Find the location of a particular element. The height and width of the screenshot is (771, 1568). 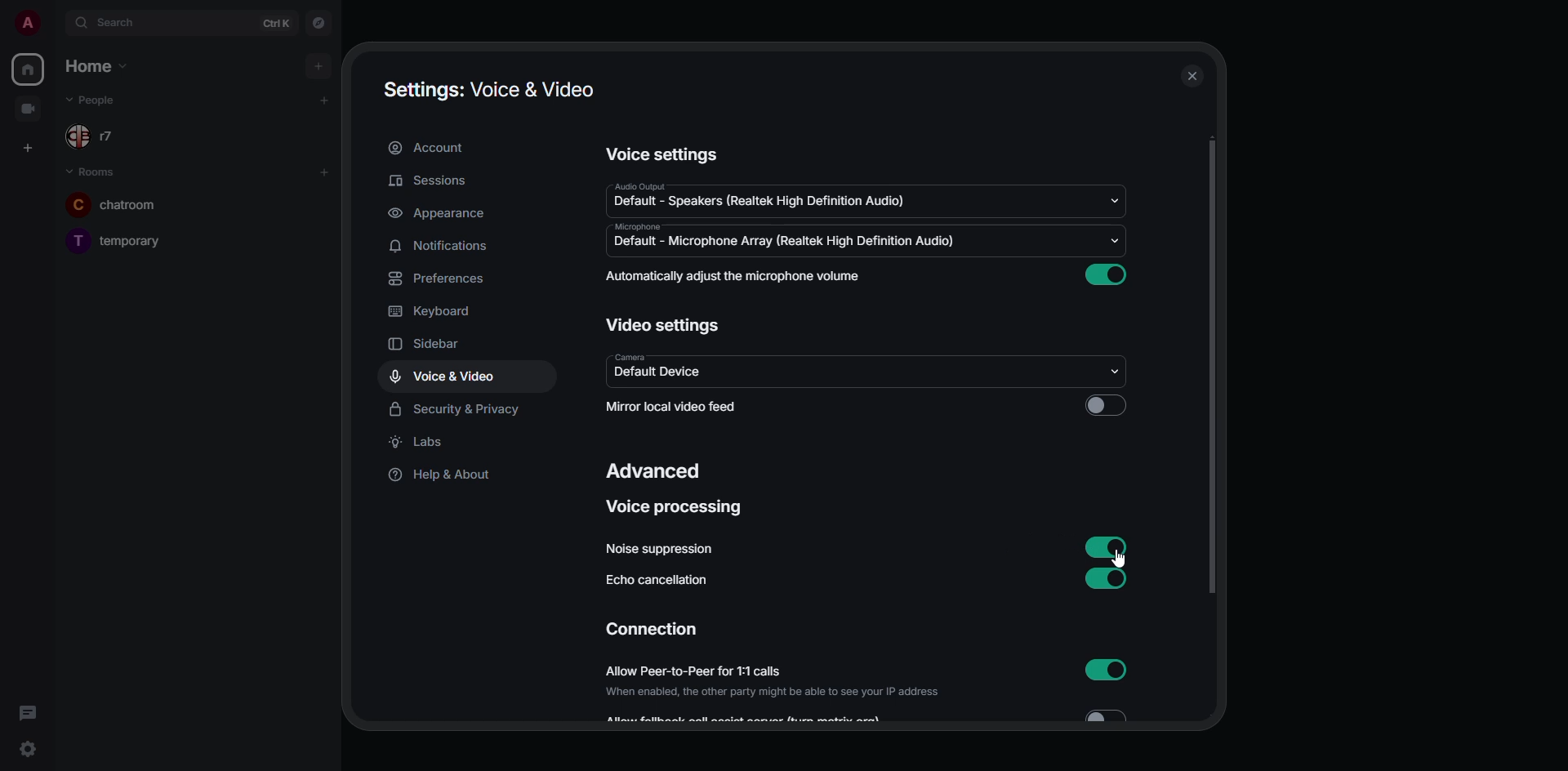

connection is located at coordinates (652, 629).